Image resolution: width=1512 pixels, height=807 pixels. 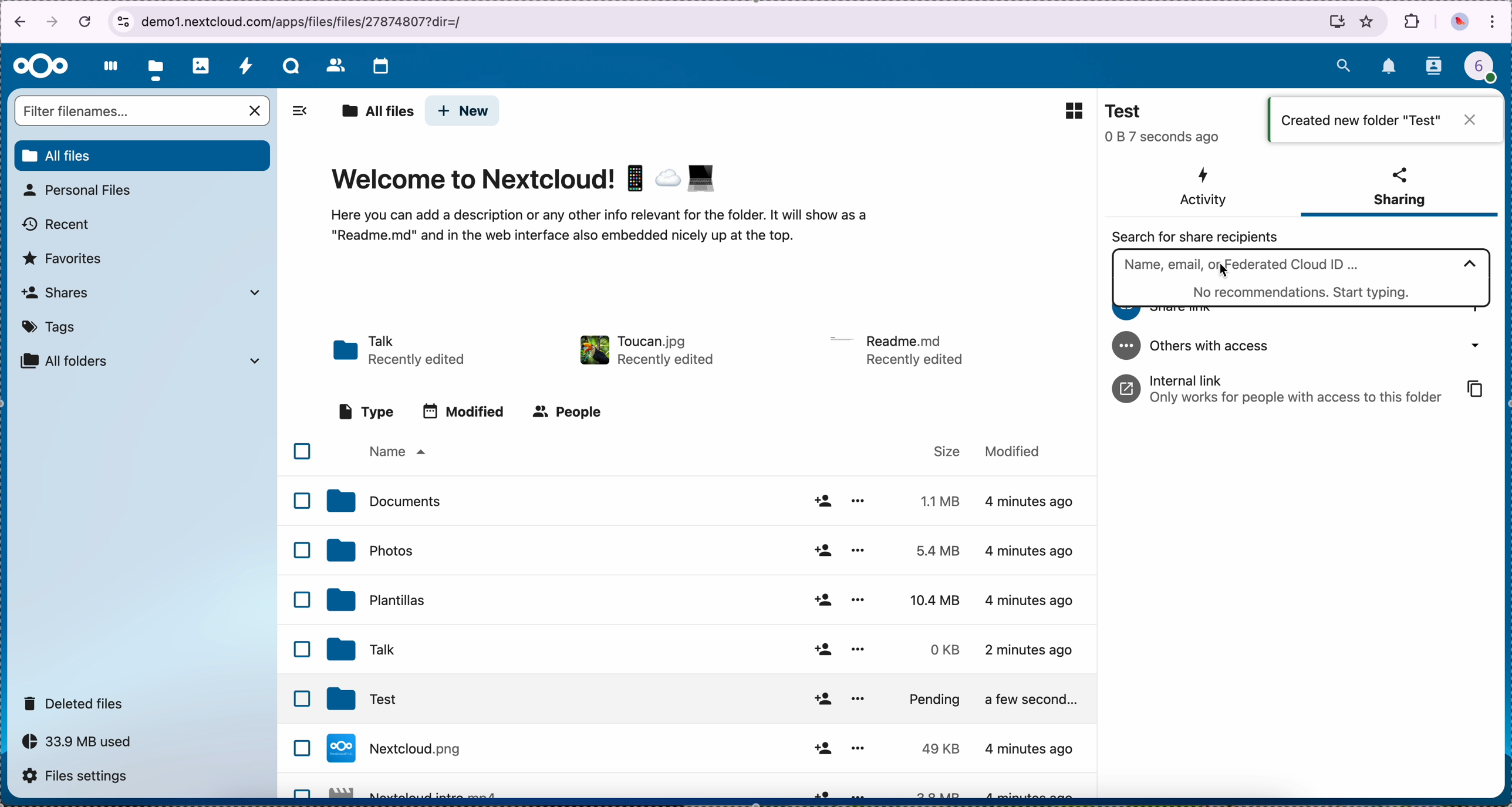 I want to click on click on files button, so click(x=158, y=66).